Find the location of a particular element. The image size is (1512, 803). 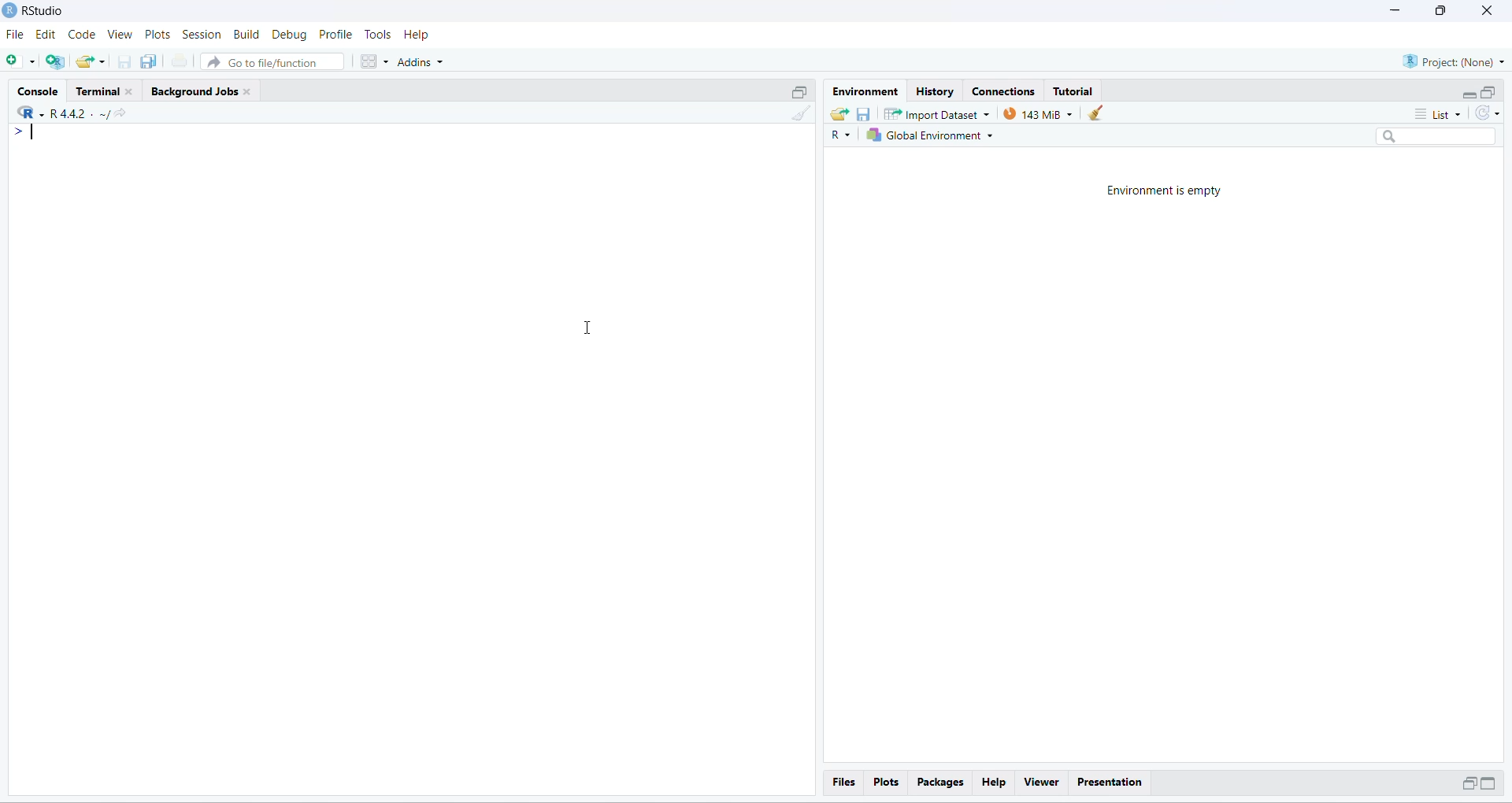

close is located at coordinates (131, 92).